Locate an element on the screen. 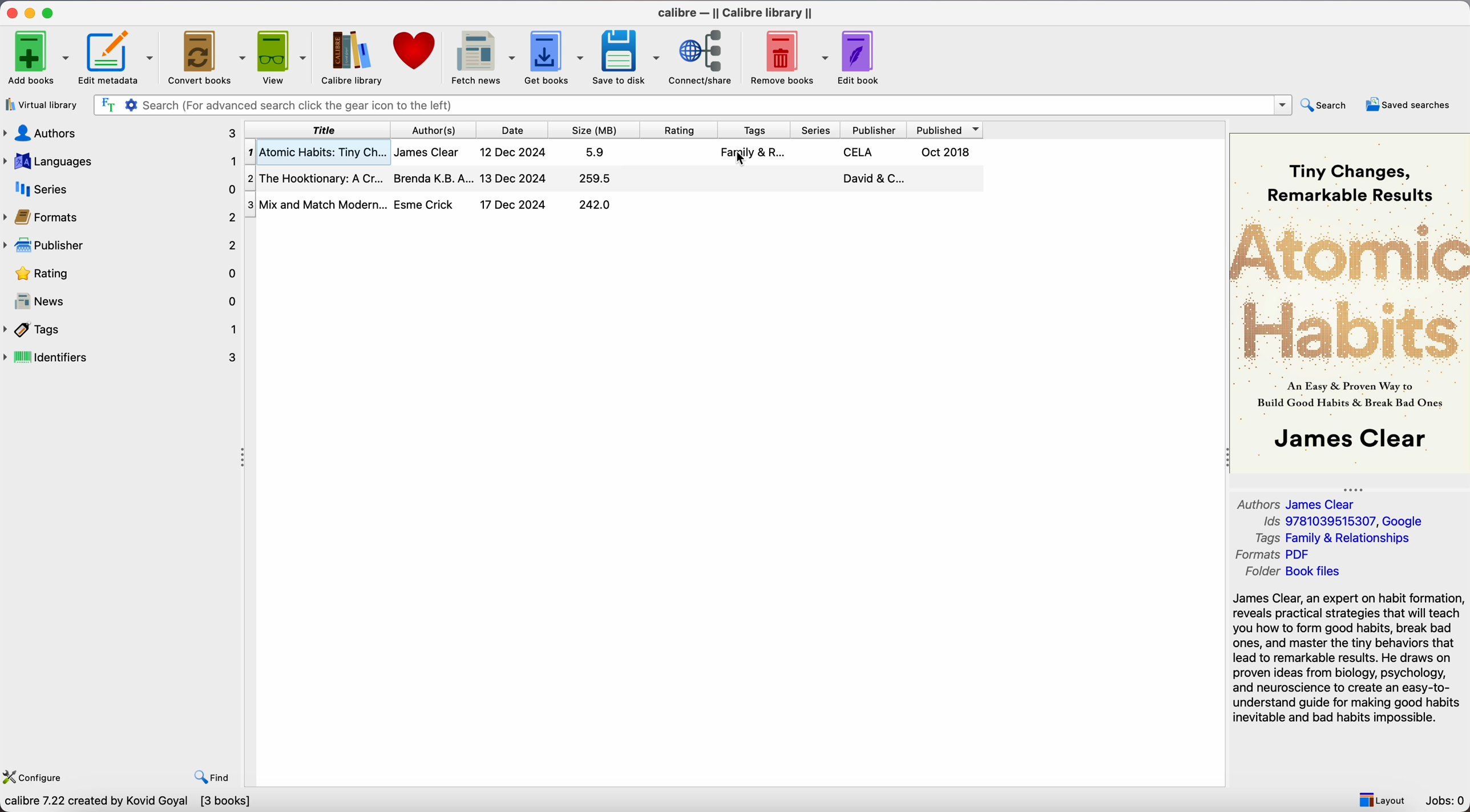 This screenshot has width=1470, height=812. cursor is located at coordinates (741, 160).